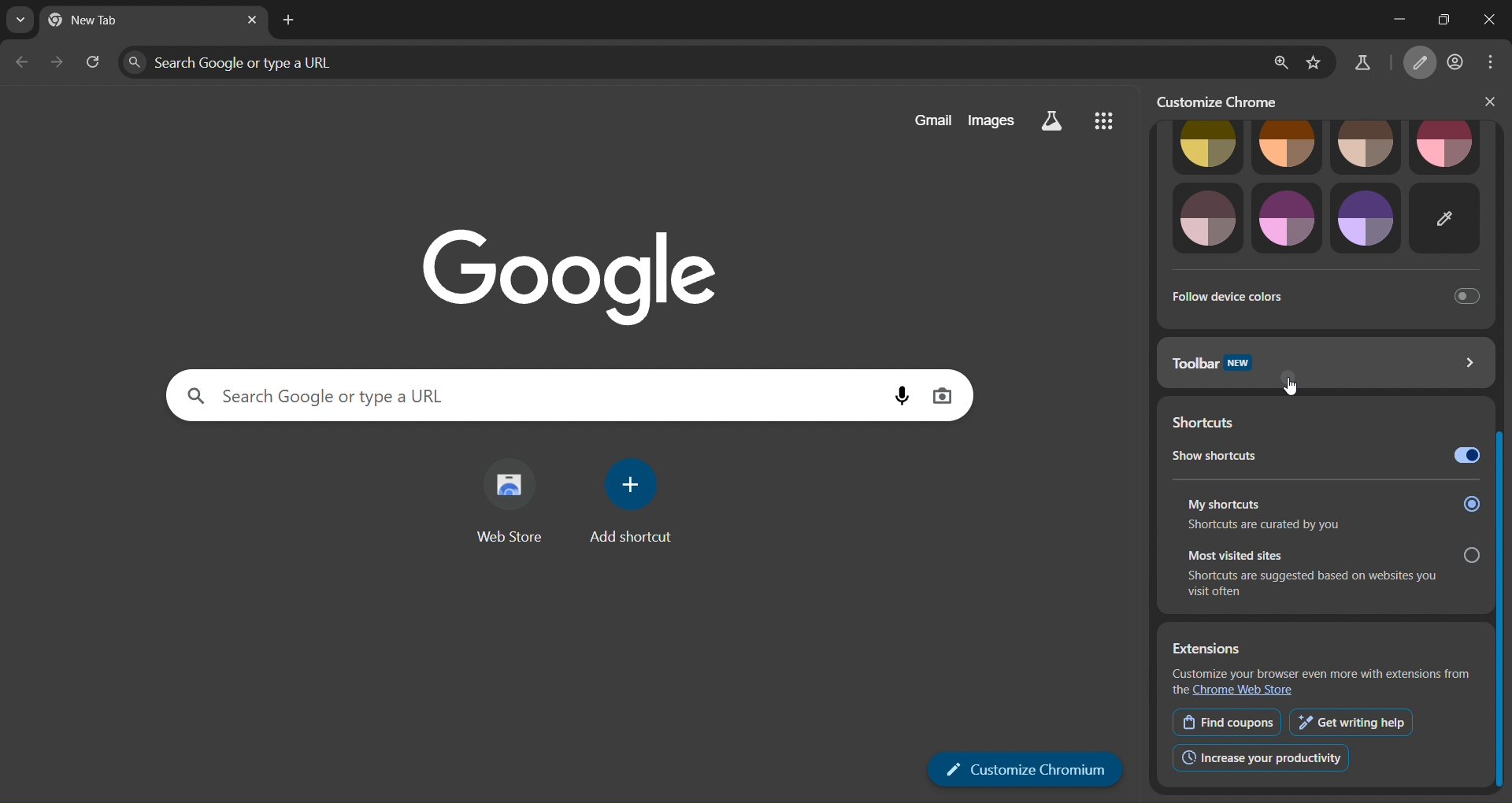 This screenshot has width=1512, height=803. I want to click on toolbar, so click(1325, 370).